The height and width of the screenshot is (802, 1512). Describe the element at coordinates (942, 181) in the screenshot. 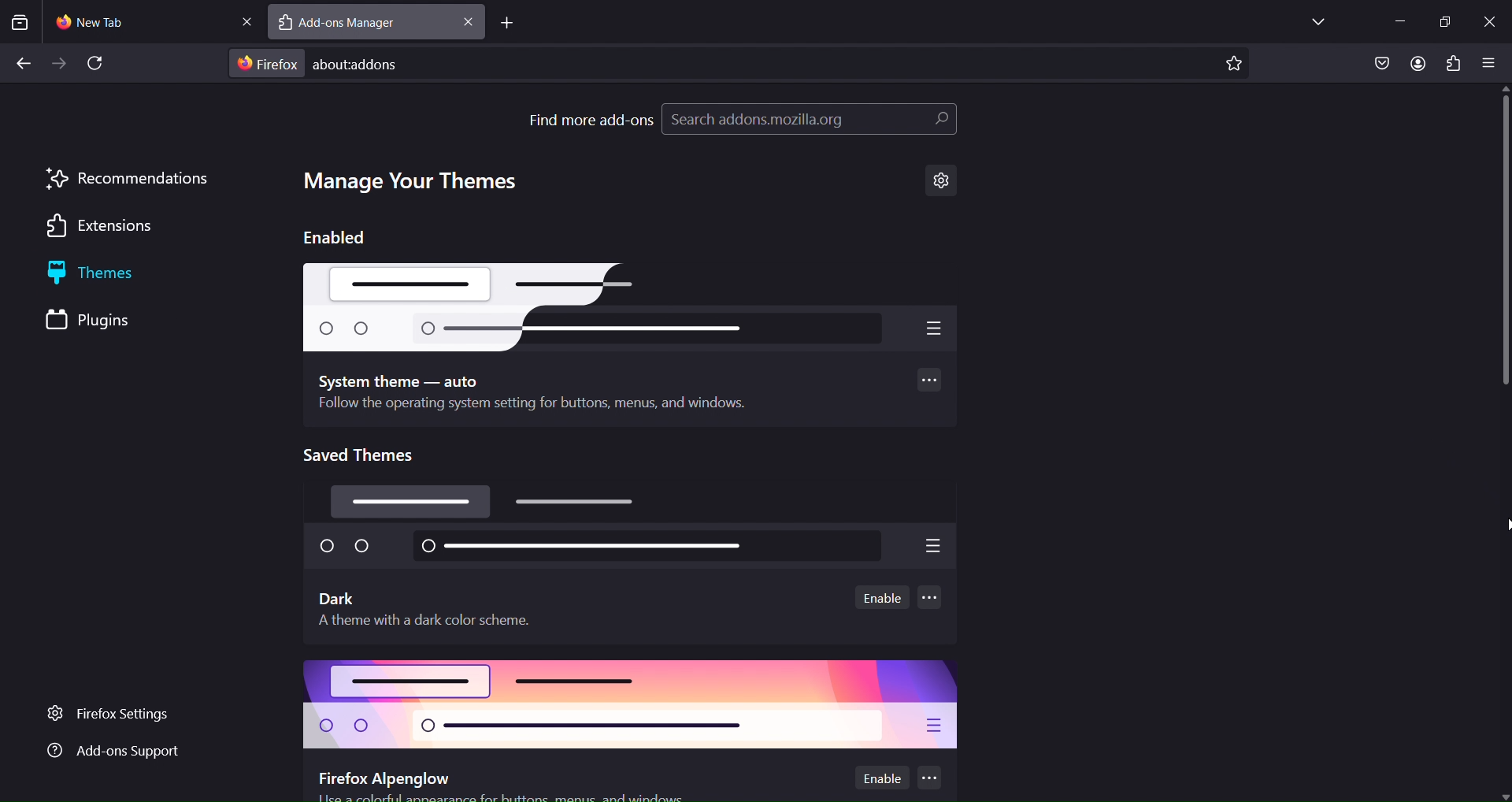

I see `settings` at that location.